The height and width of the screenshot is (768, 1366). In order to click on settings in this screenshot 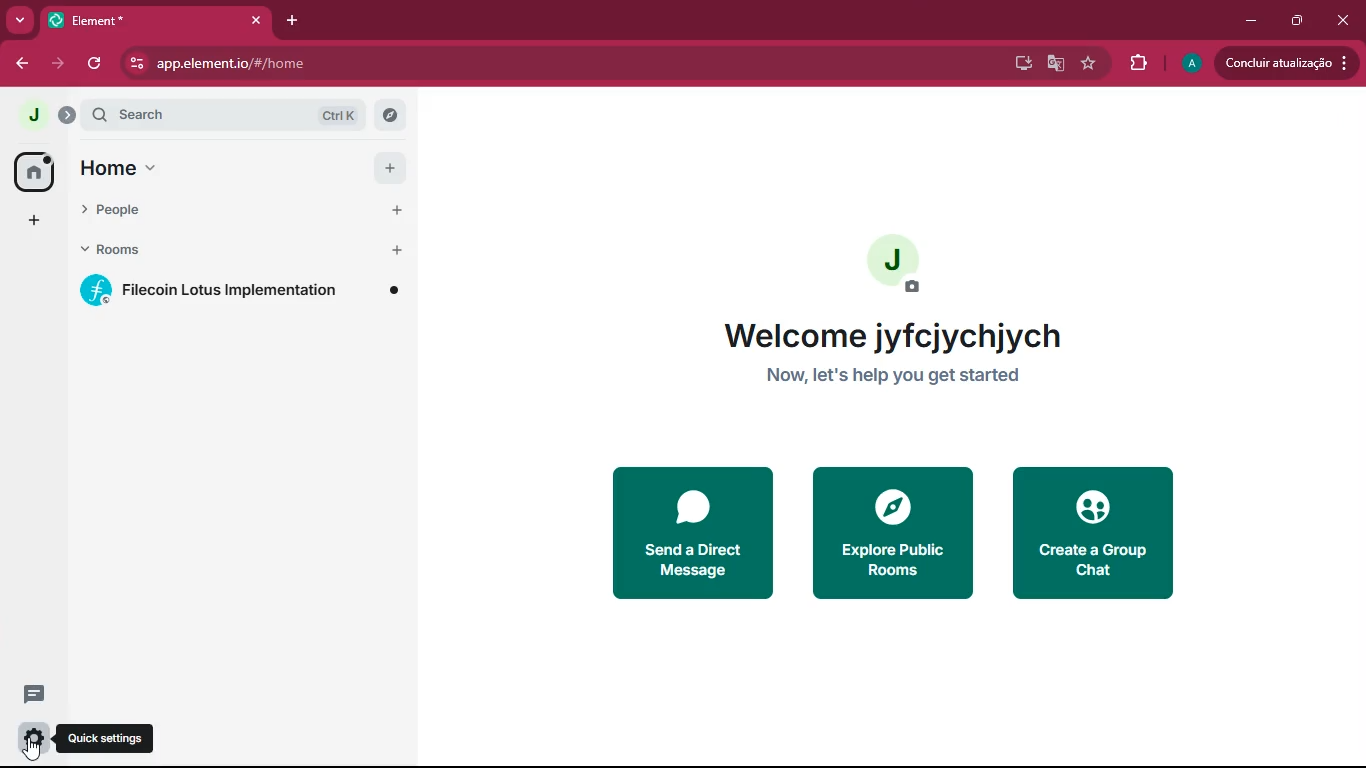, I will do `click(31, 741)`.